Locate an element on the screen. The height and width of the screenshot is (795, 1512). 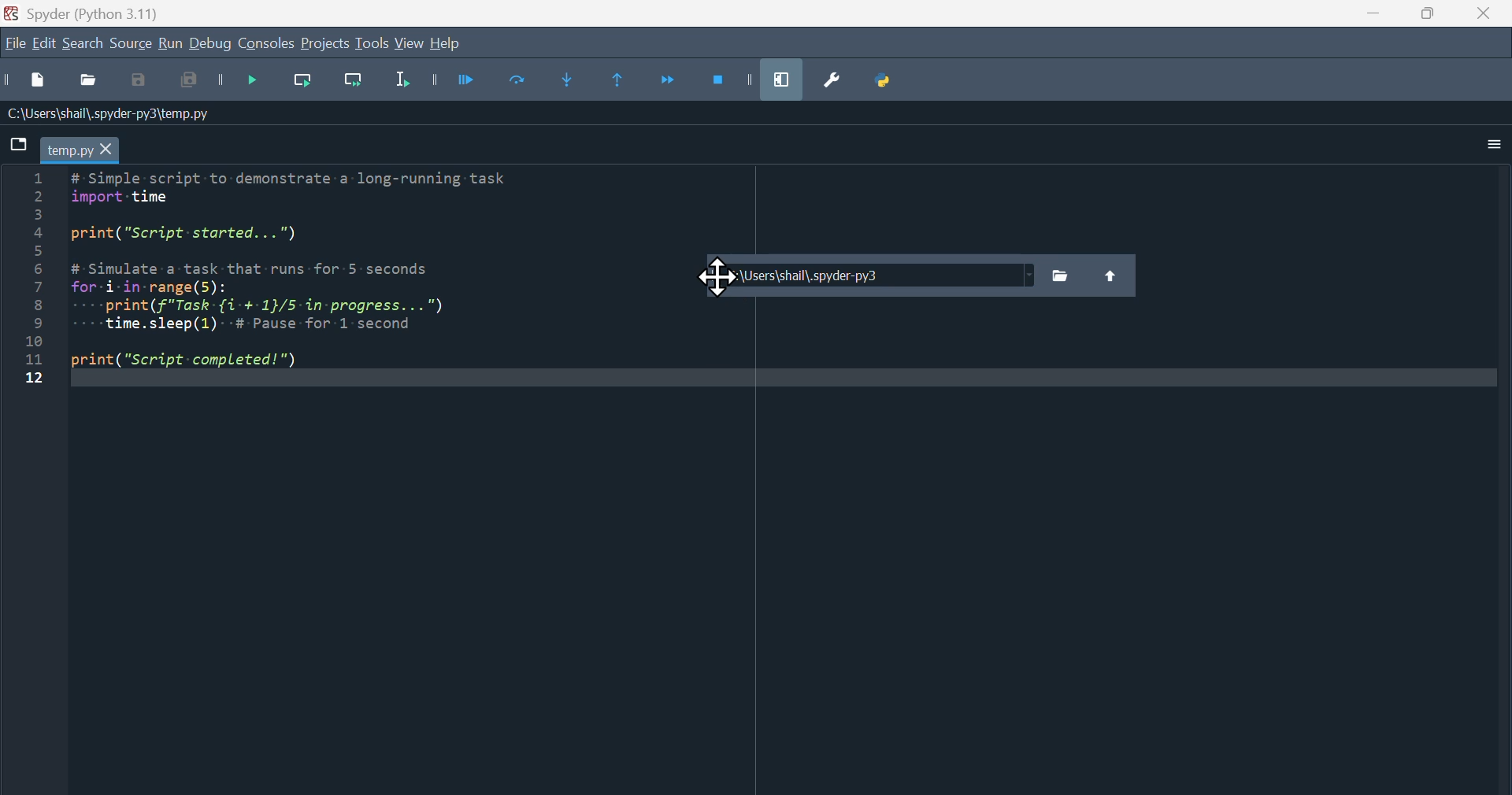
Edit is located at coordinates (46, 44).